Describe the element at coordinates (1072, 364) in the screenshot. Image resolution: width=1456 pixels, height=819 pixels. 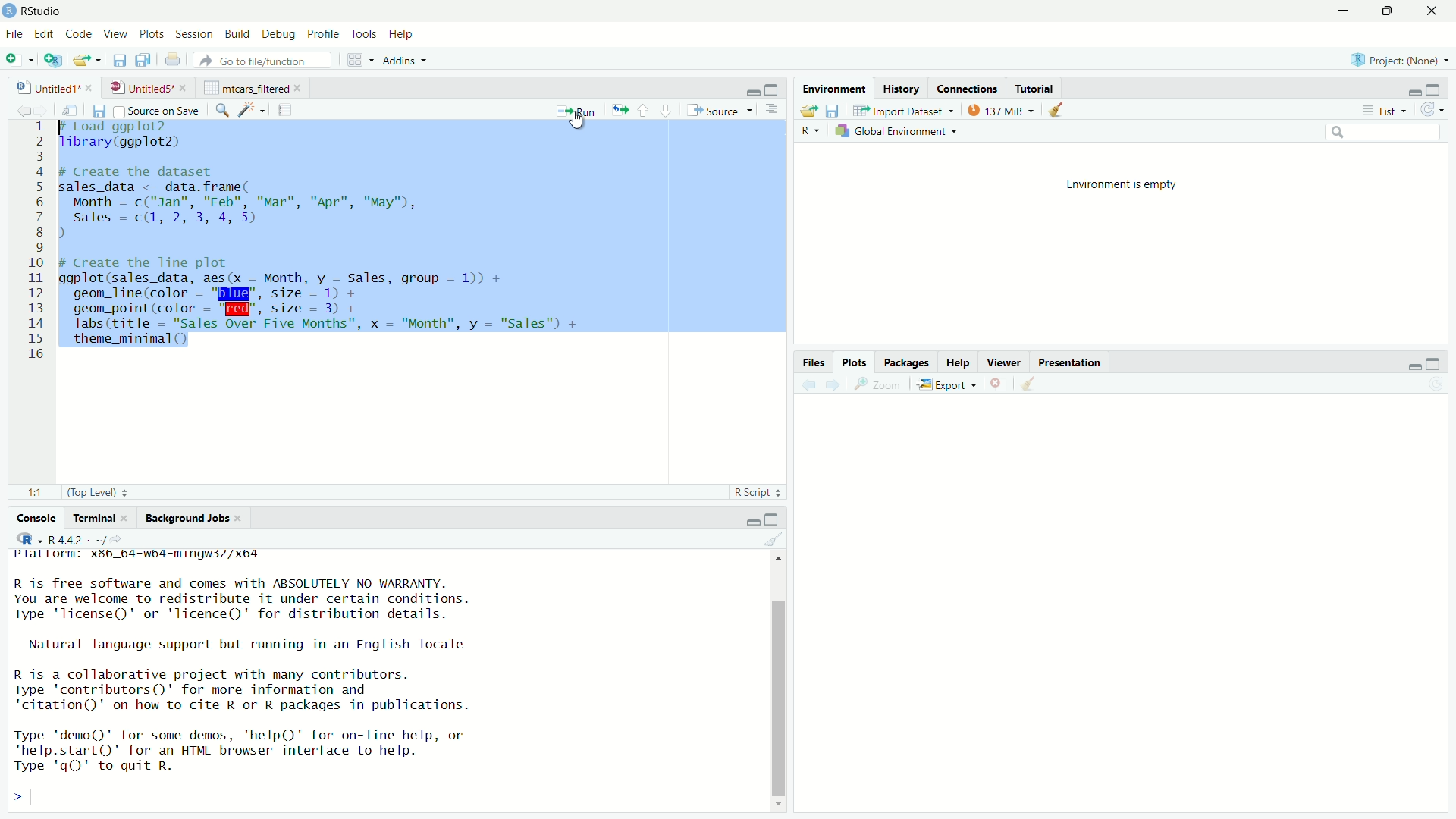
I see `presentation` at that location.